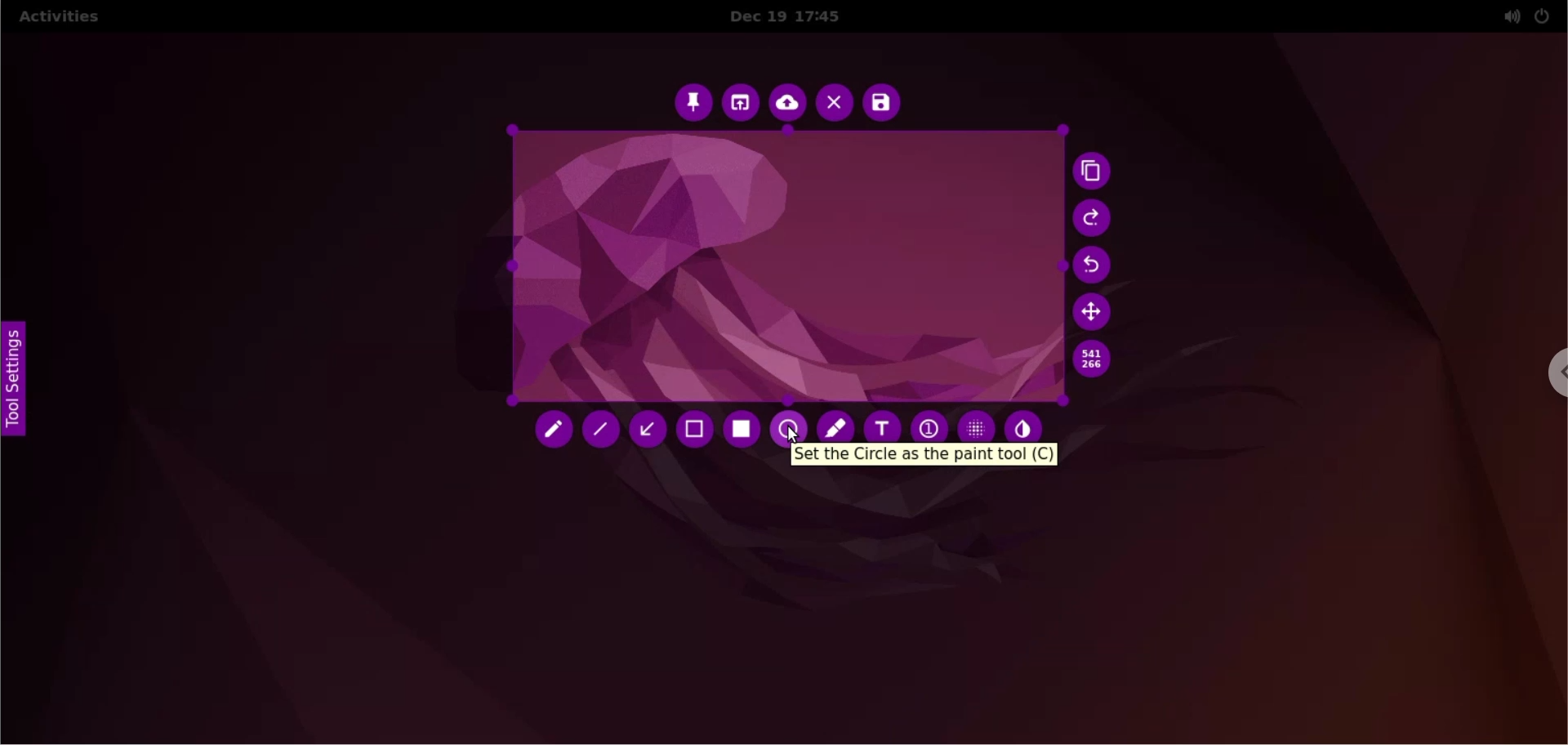 This screenshot has height=745, width=1568. Describe the element at coordinates (697, 431) in the screenshot. I see `selection tool` at that location.